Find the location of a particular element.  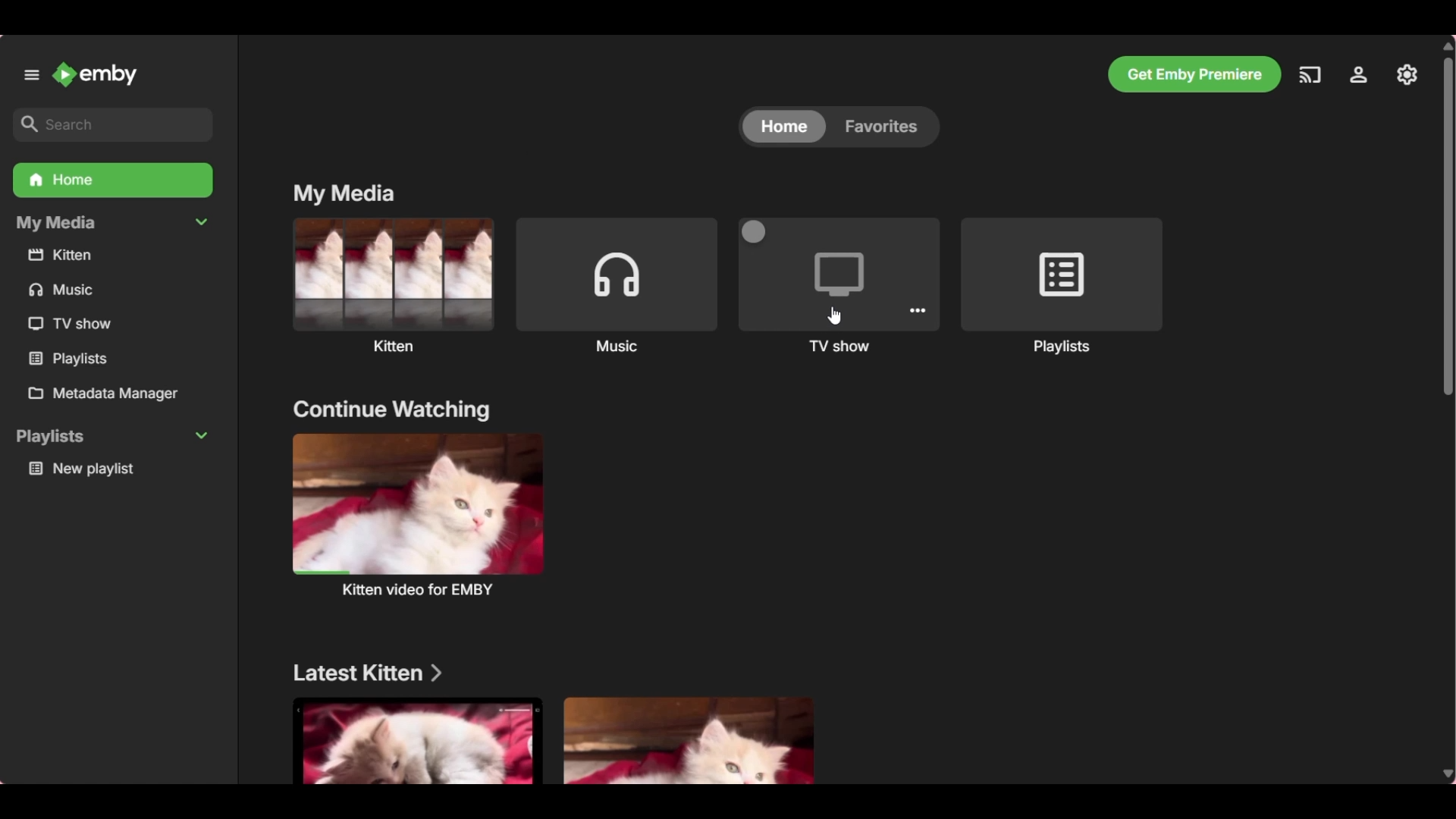

Home folder, current selection is located at coordinates (112, 180).